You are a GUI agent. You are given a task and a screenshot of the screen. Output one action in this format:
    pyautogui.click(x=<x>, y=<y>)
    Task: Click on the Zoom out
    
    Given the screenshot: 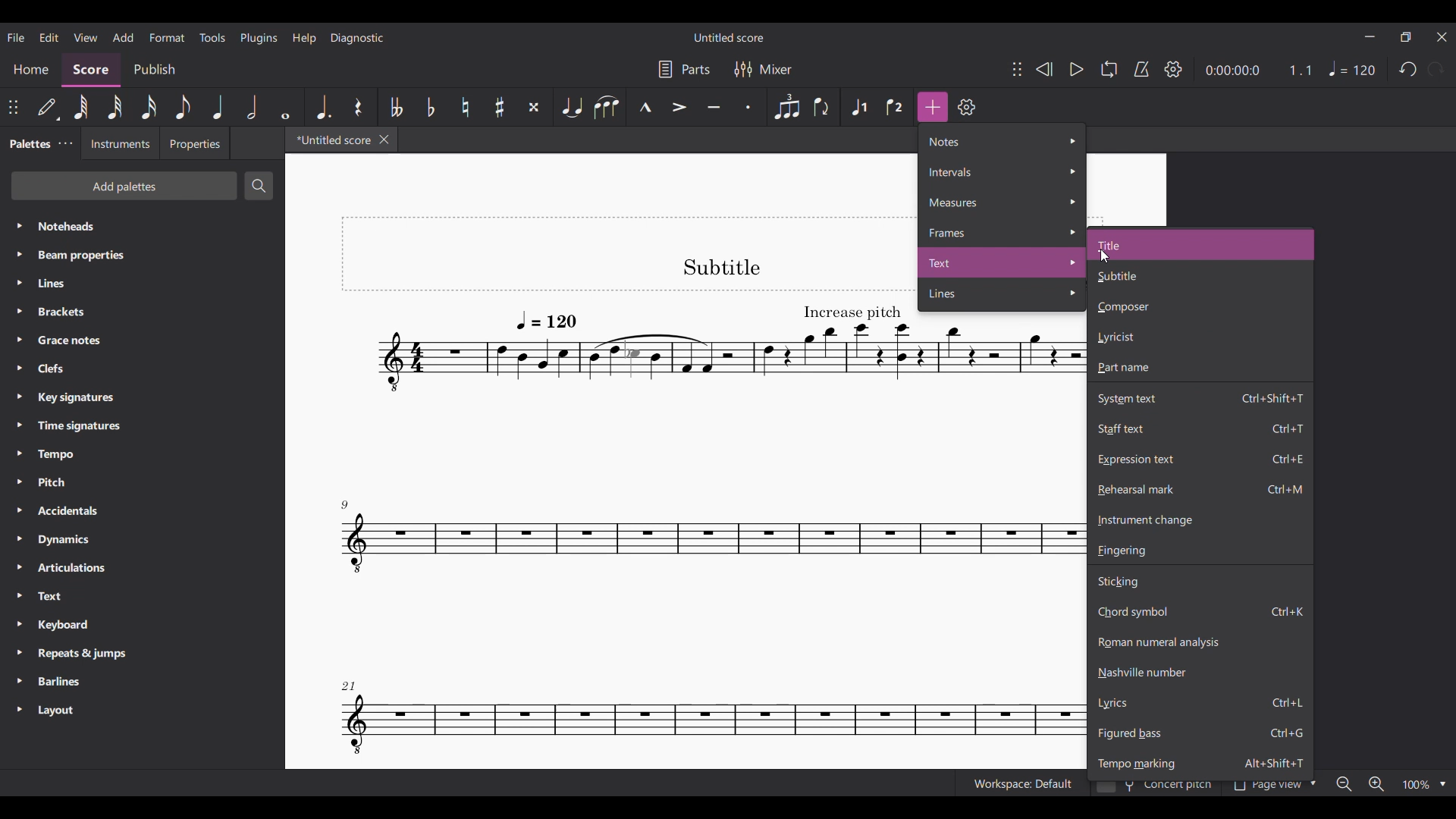 What is the action you would take?
    pyautogui.click(x=1345, y=783)
    